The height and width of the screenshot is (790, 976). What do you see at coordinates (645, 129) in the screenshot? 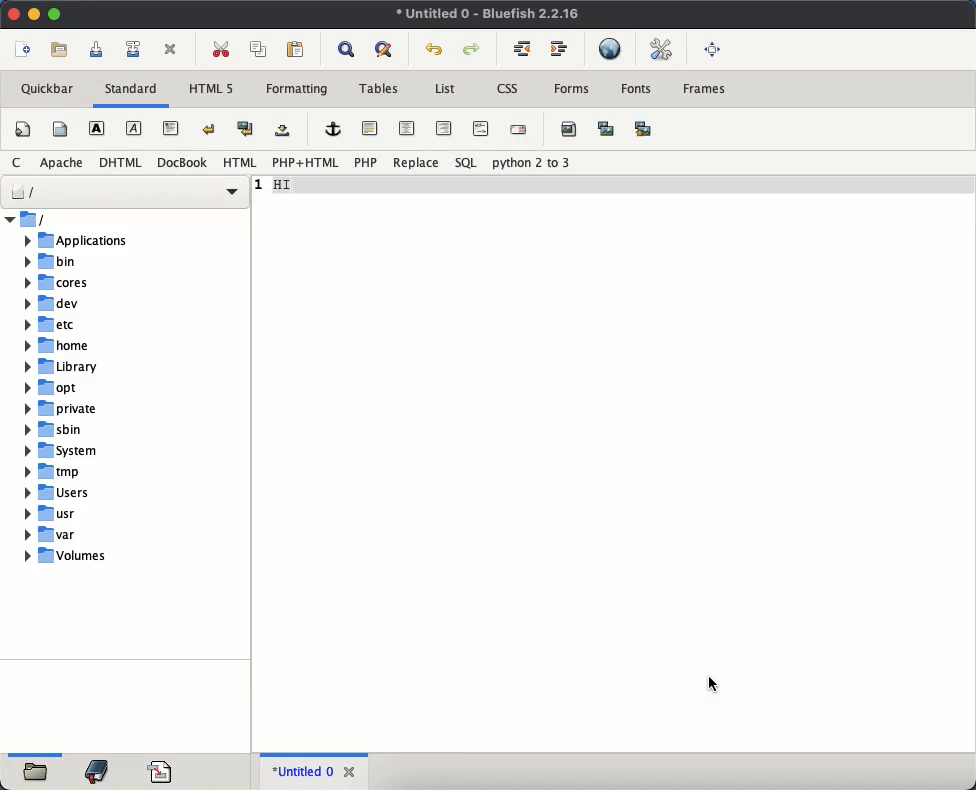
I see `multi thumbnail` at bounding box center [645, 129].